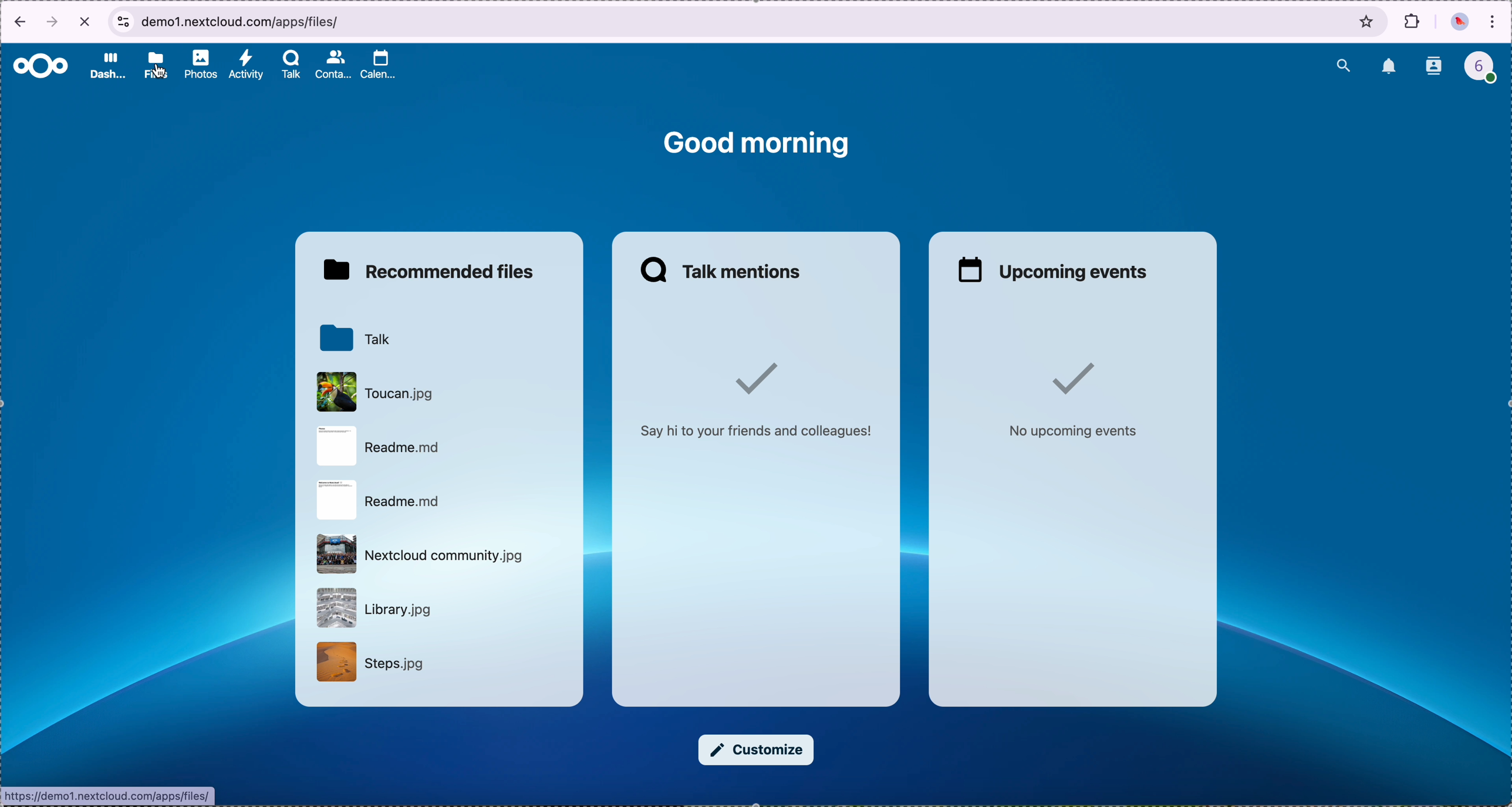 This screenshot has height=807, width=1512. Describe the element at coordinates (758, 142) in the screenshot. I see `good morning` at that location.